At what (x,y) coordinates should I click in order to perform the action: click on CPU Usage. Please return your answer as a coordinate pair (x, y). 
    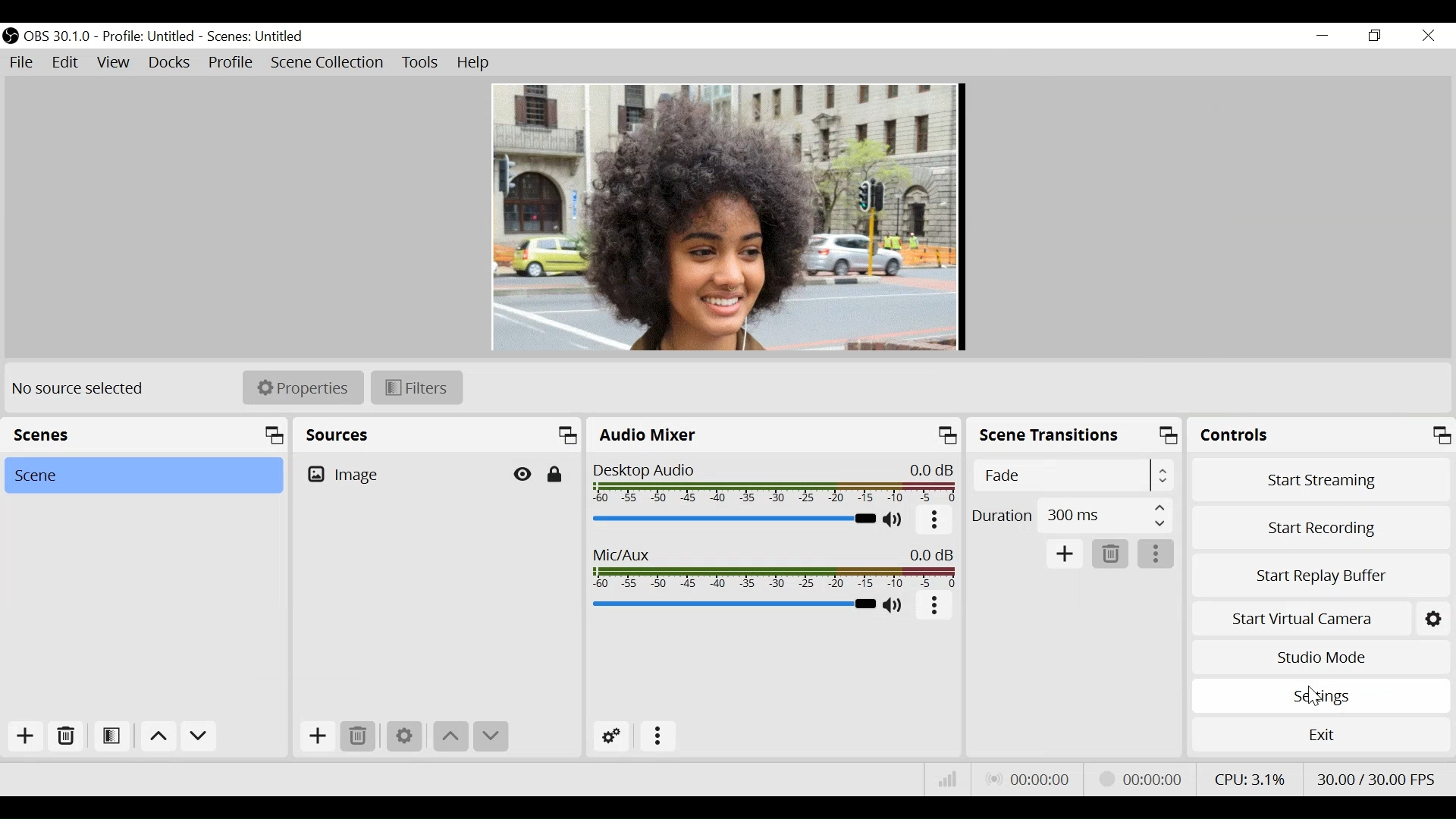
    Looking at the image, I should click on (1253, 777).